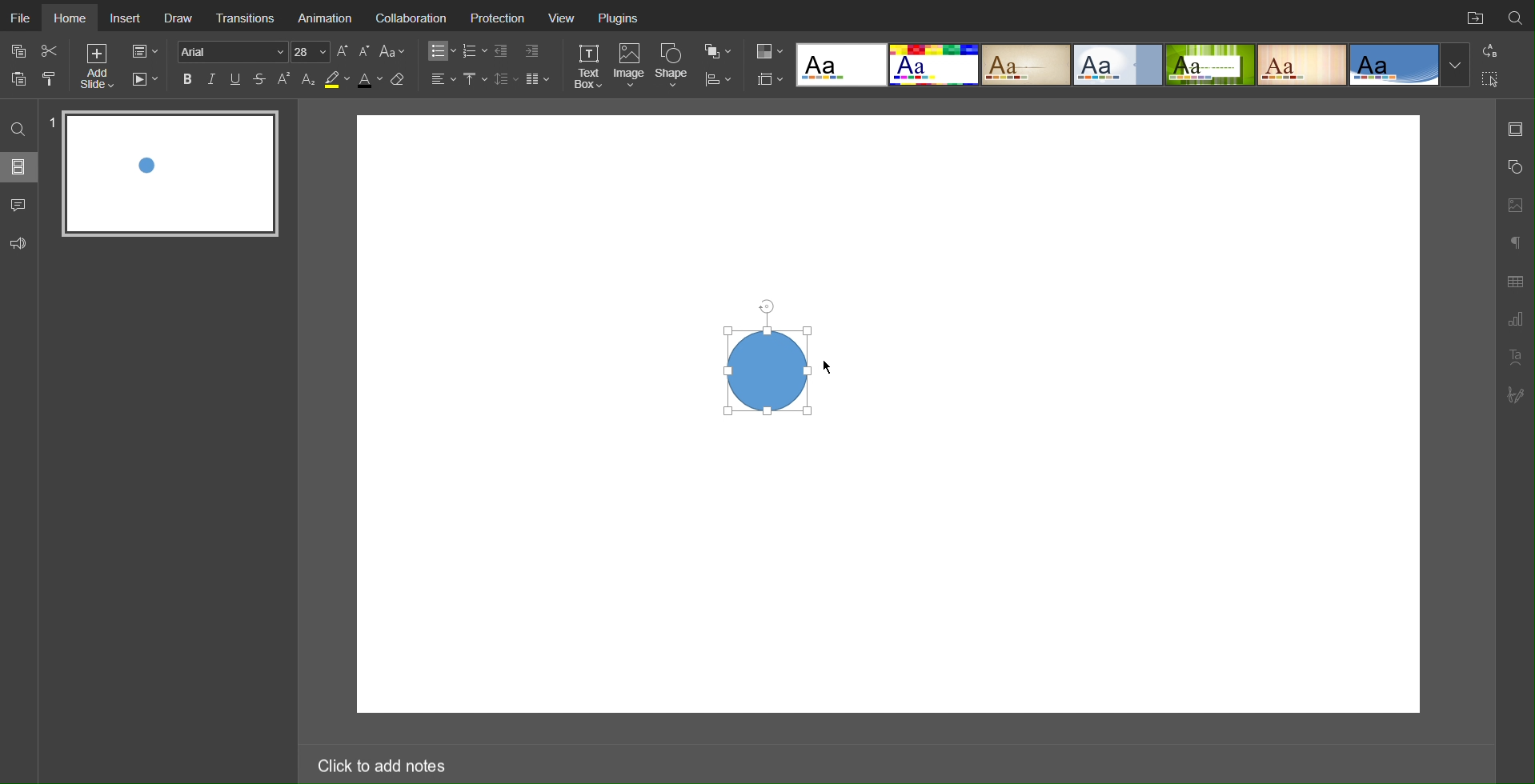 This screenshot has width=1535, height=784. What do you see at coordinates (22, 53) in the screenshot?
I see `copy` at bounding box center [22, 53].